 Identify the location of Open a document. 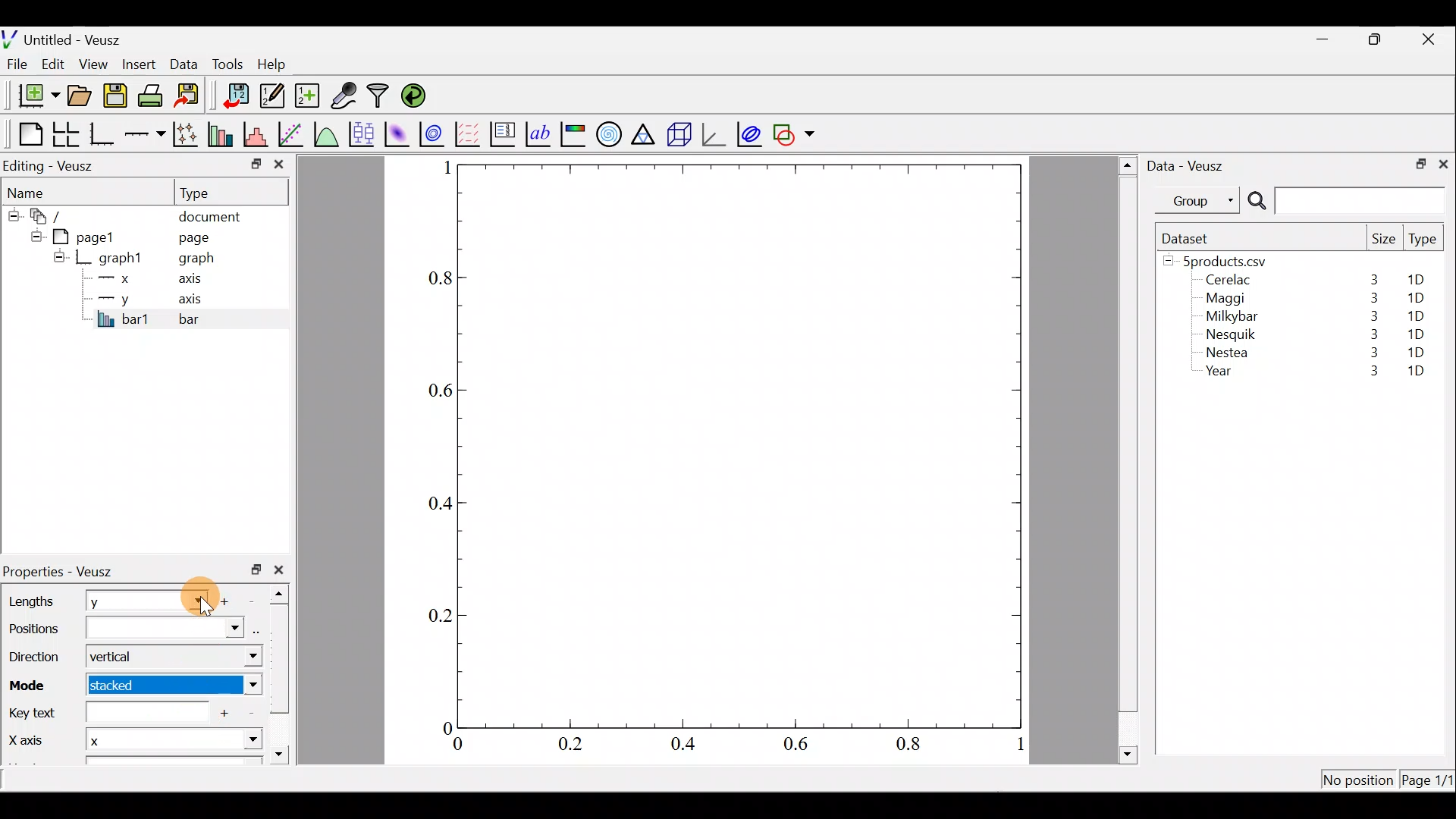
(81, 97).